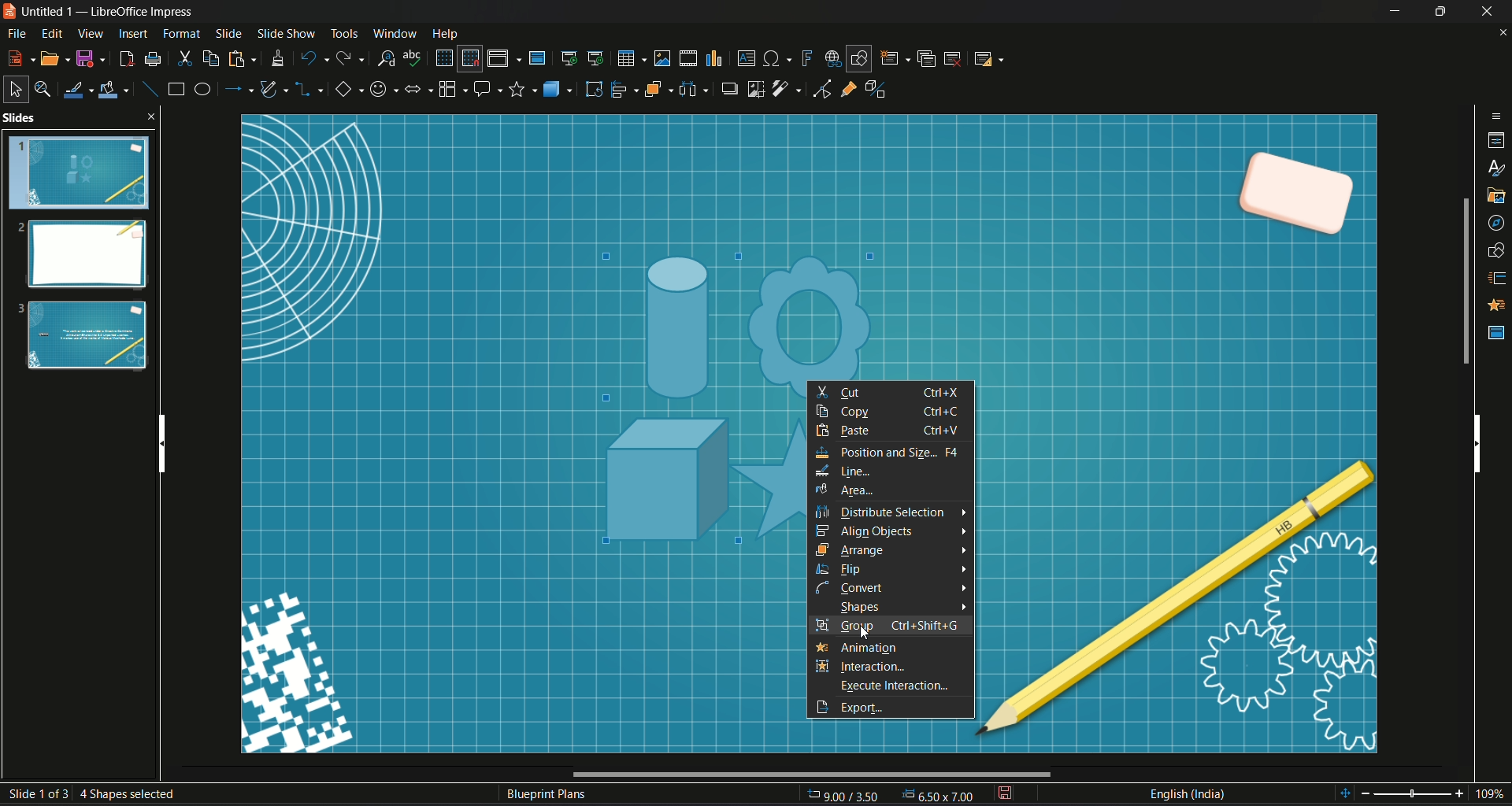 Image resolution: width=1512 pixels, height=806 pixels. I want to click on rectangle, so click(176, 88).